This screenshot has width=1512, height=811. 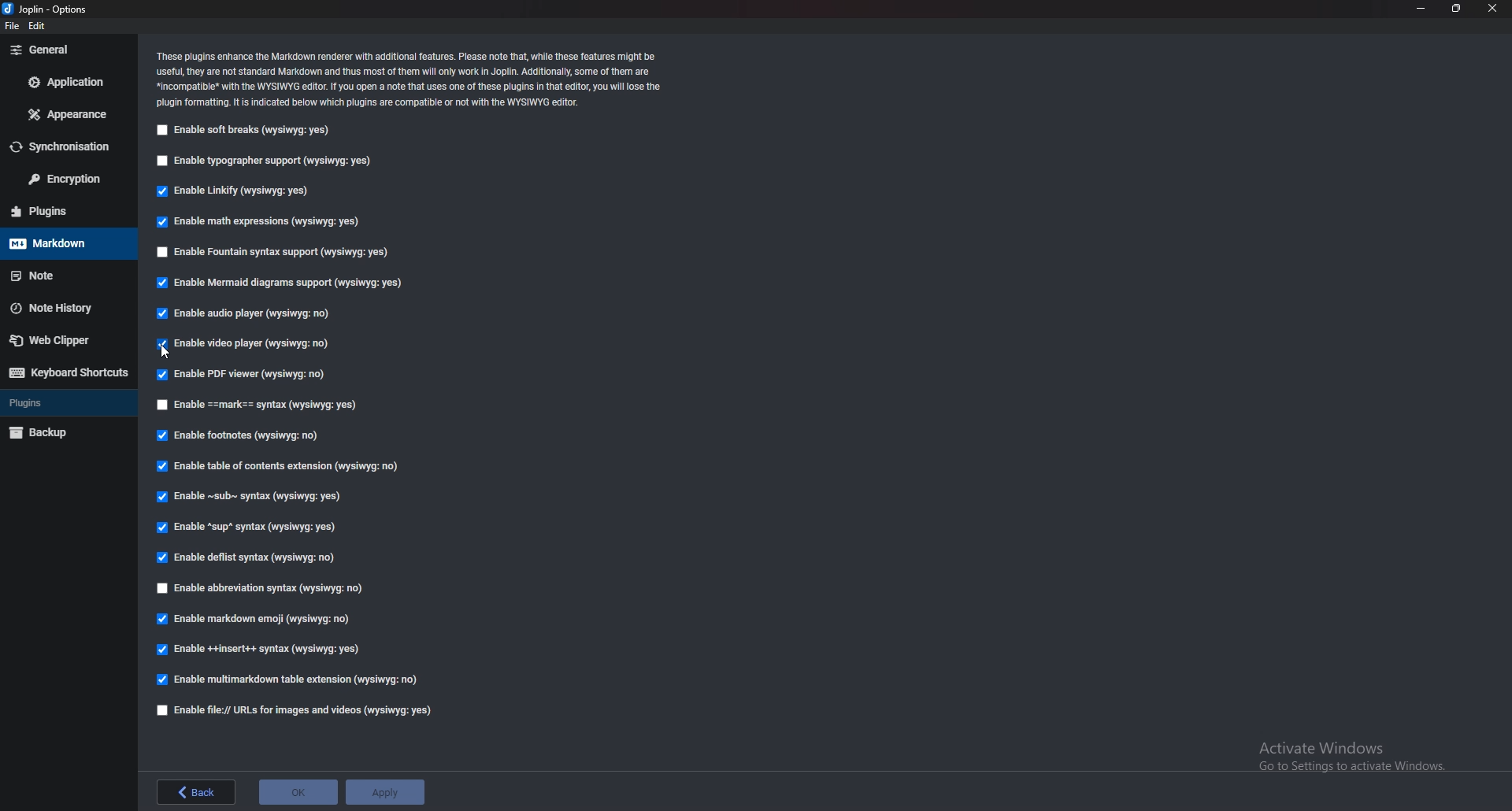 What do you see at coordinates (420, 80) in the screenshot?
I see `Info` at bounding box center [420, 80].